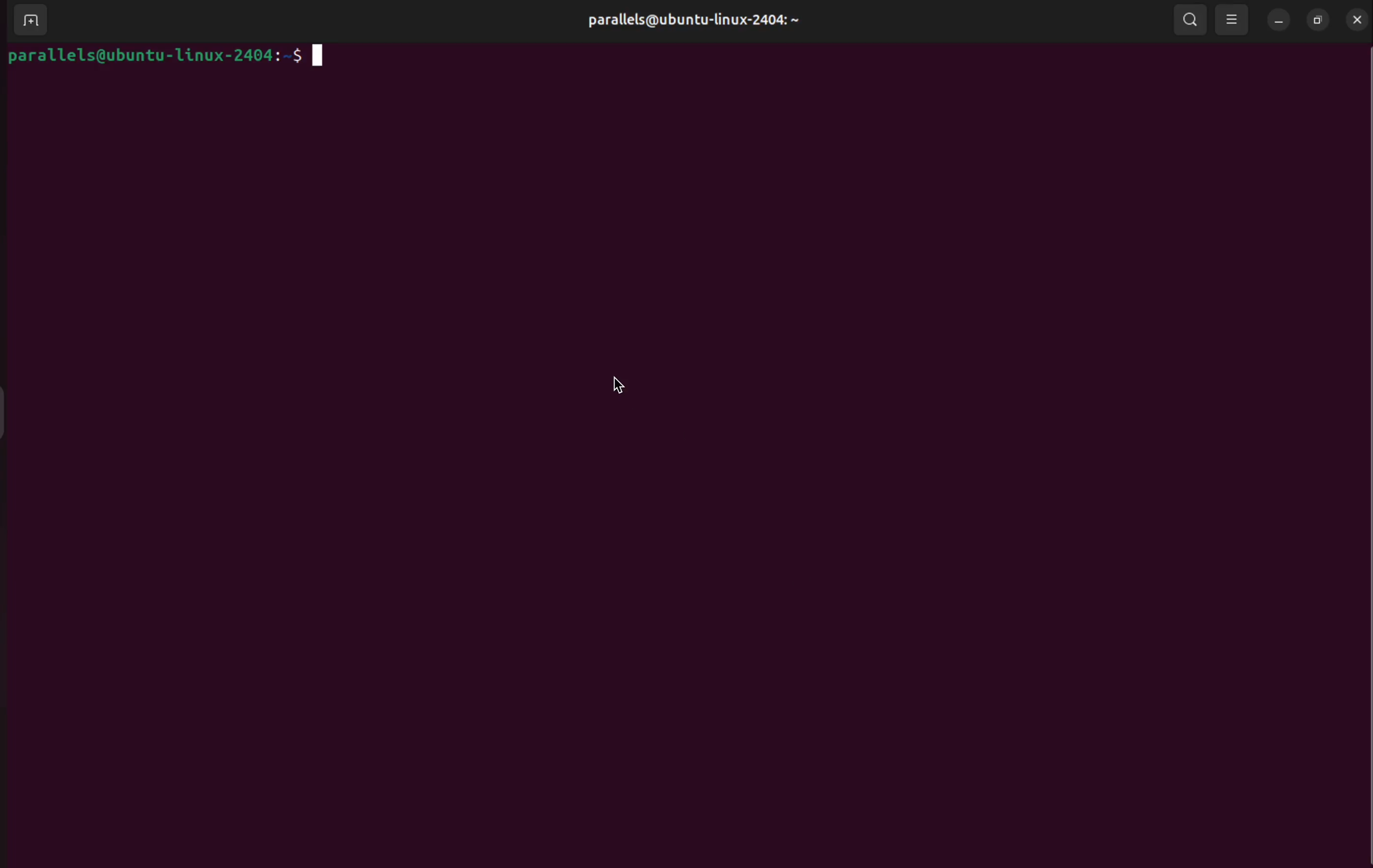 This screenshot has width=1373, height=868. I want to click on resize, so click(1315, 20).